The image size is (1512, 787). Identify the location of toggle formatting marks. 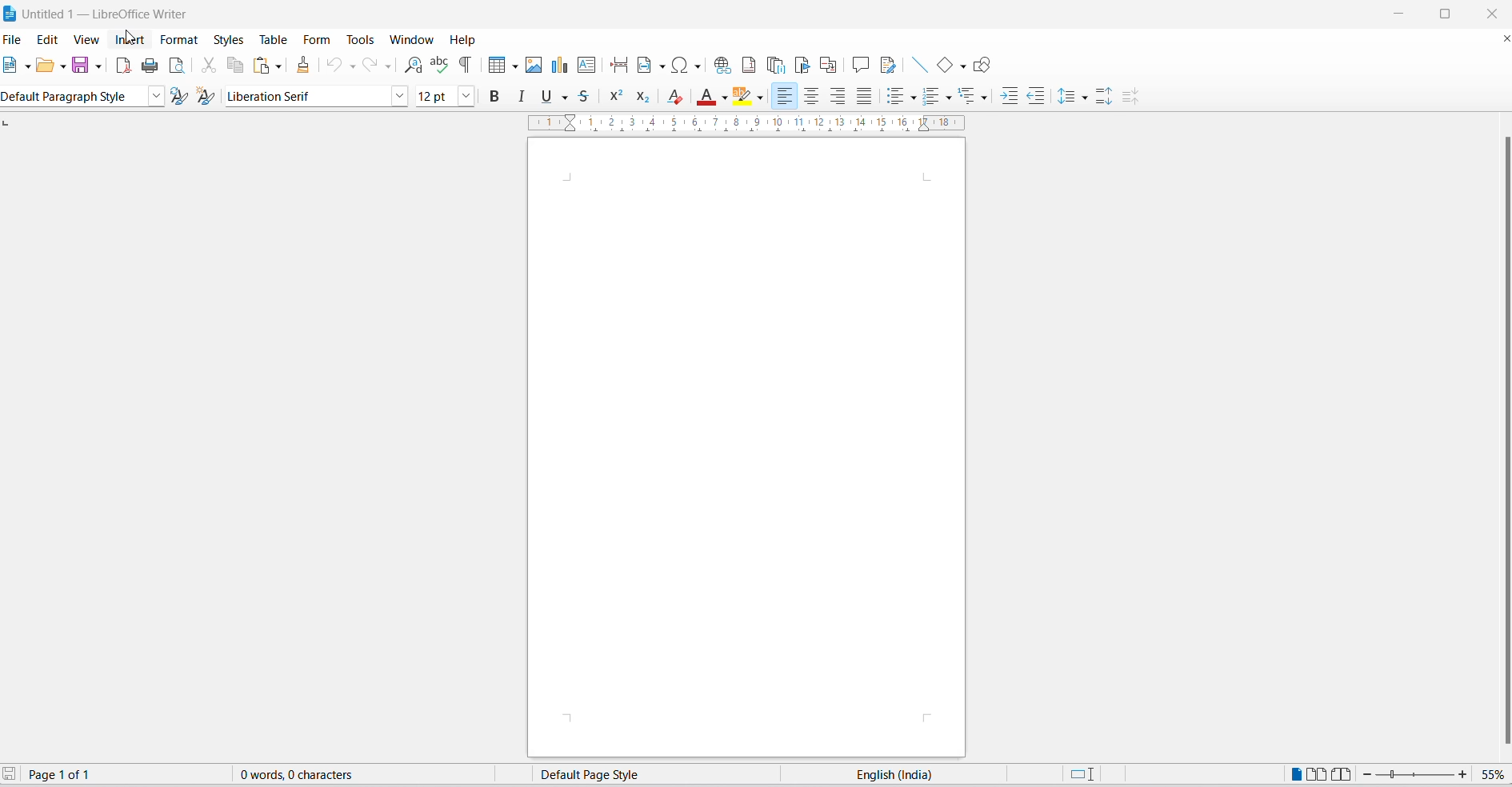
(466, 66).